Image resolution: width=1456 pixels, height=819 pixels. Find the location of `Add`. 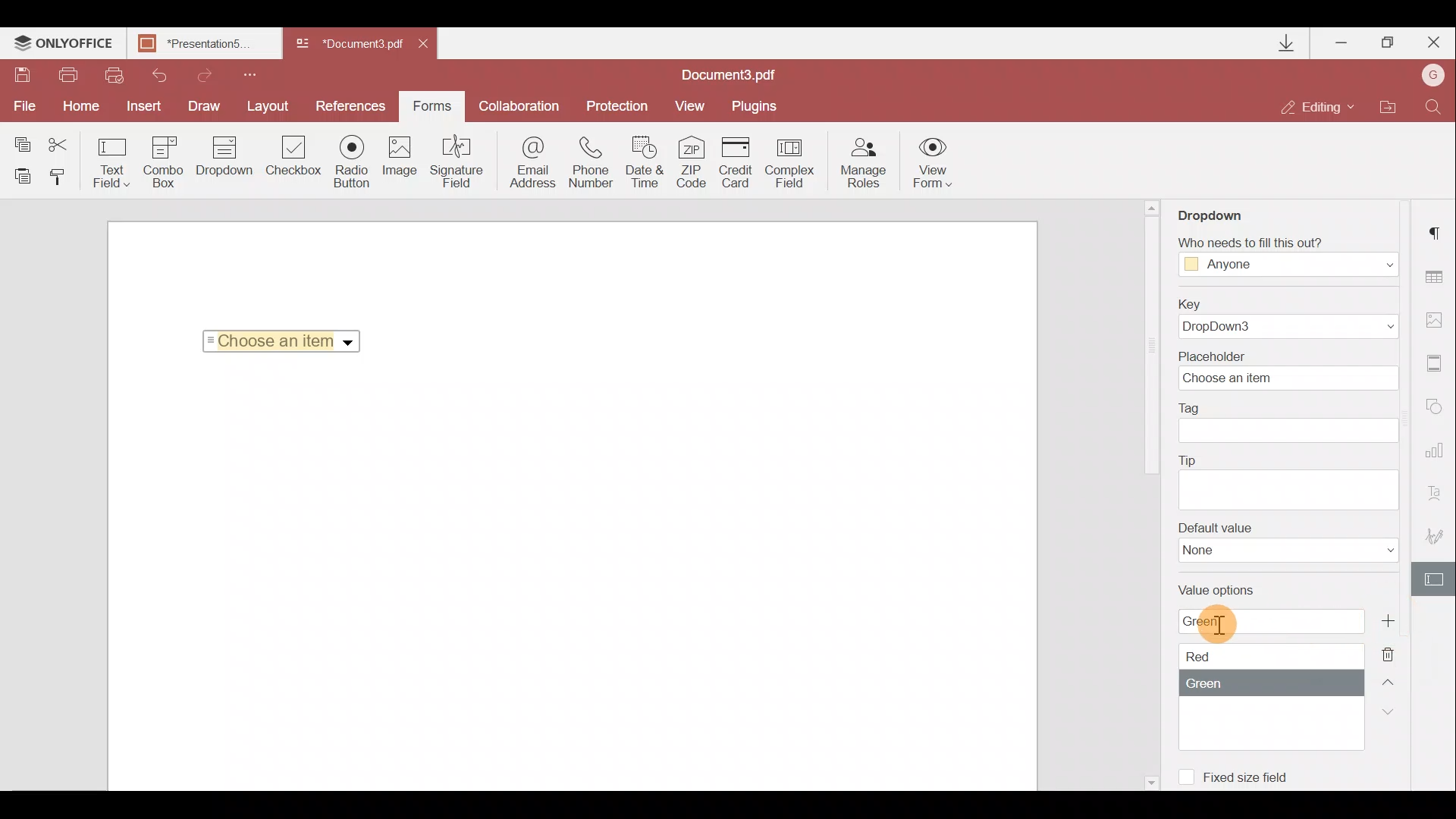

Add is located at coordinates (1387, 620).